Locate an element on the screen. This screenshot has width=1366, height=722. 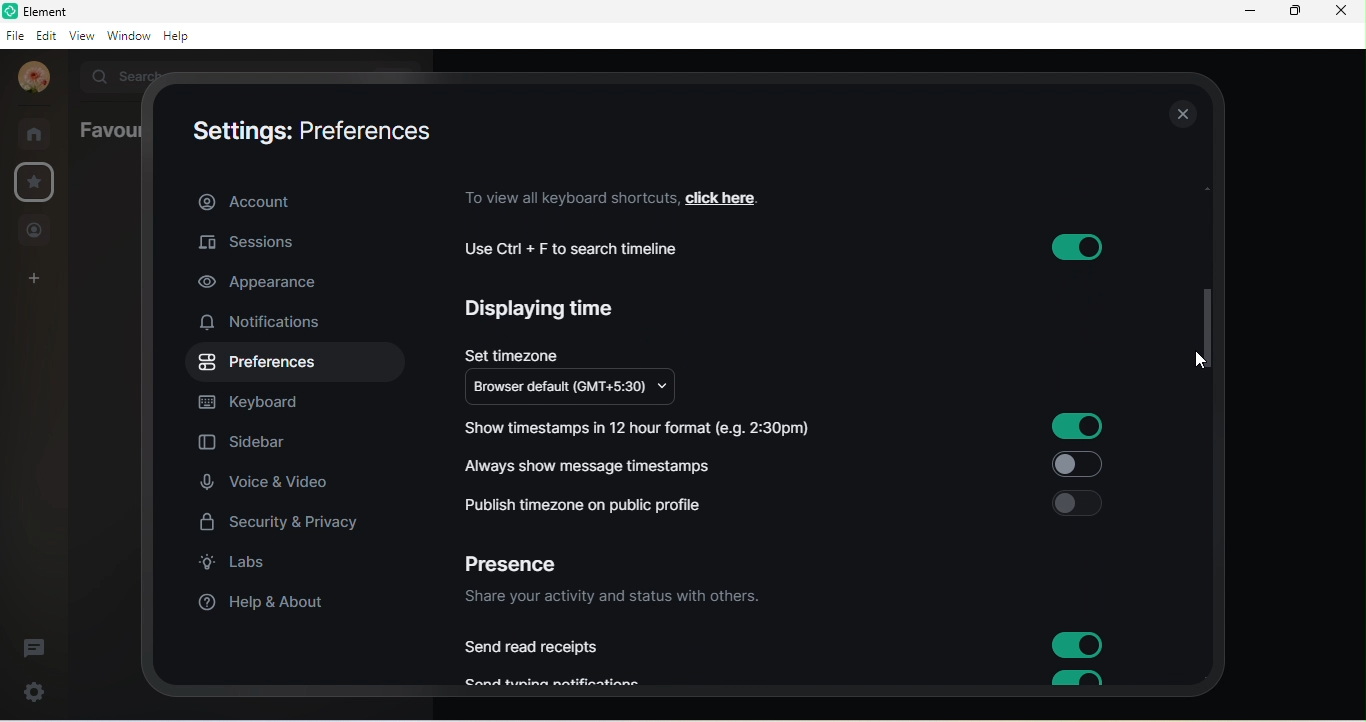
displaying time is located at coordinates (546, 313).